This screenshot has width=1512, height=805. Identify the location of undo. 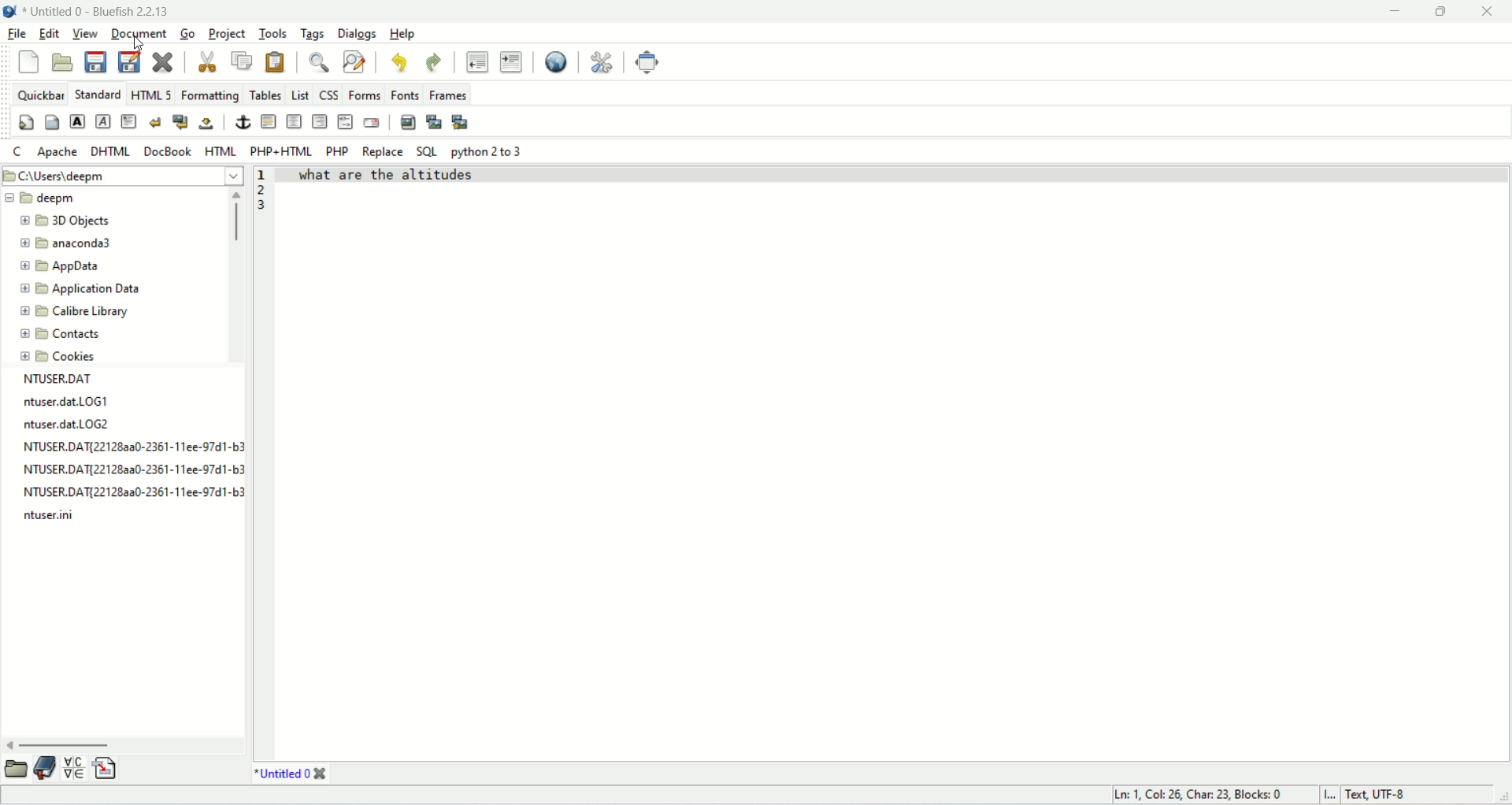
(400, 61).